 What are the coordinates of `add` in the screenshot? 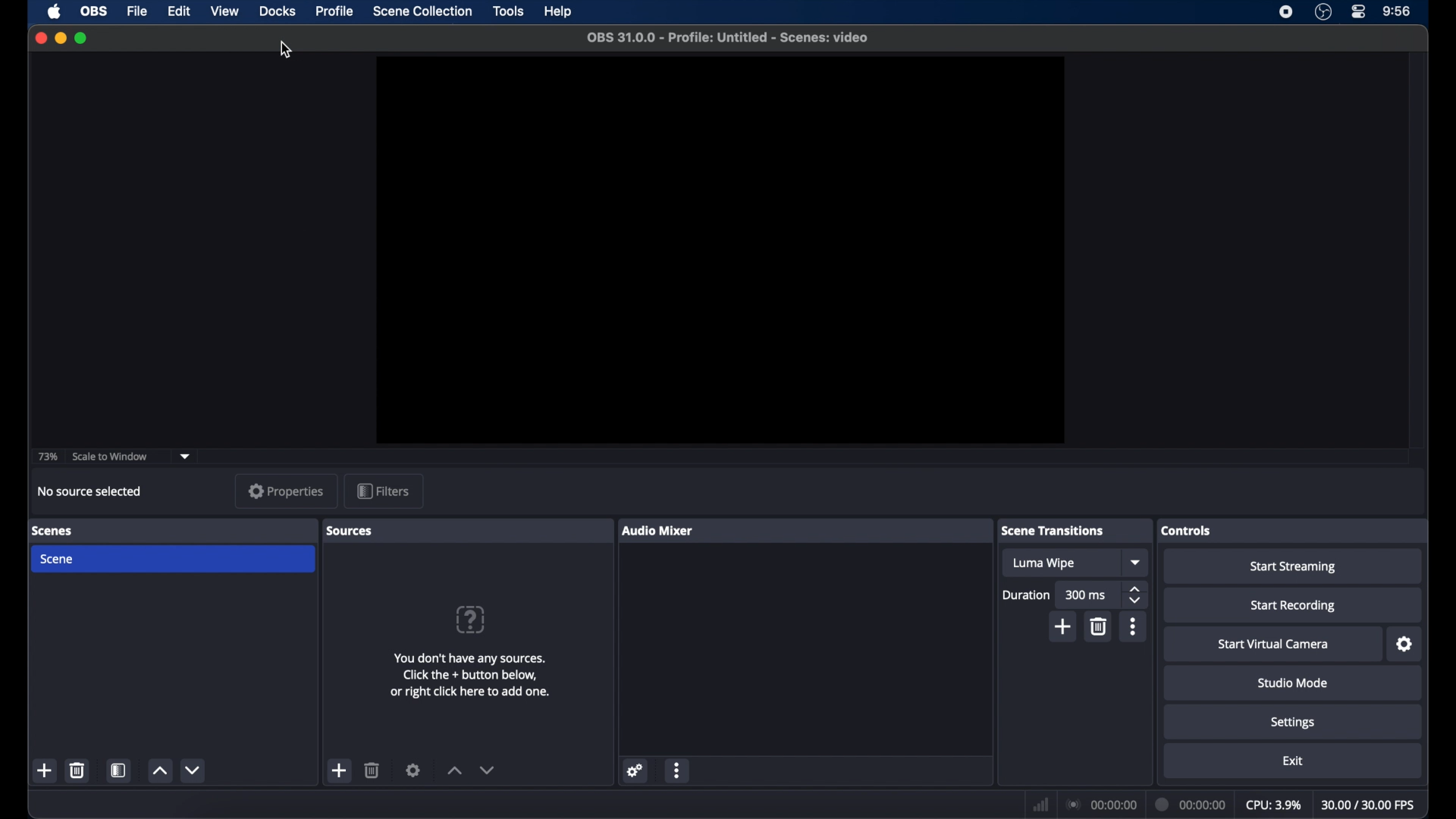 It's located at (340, 770).